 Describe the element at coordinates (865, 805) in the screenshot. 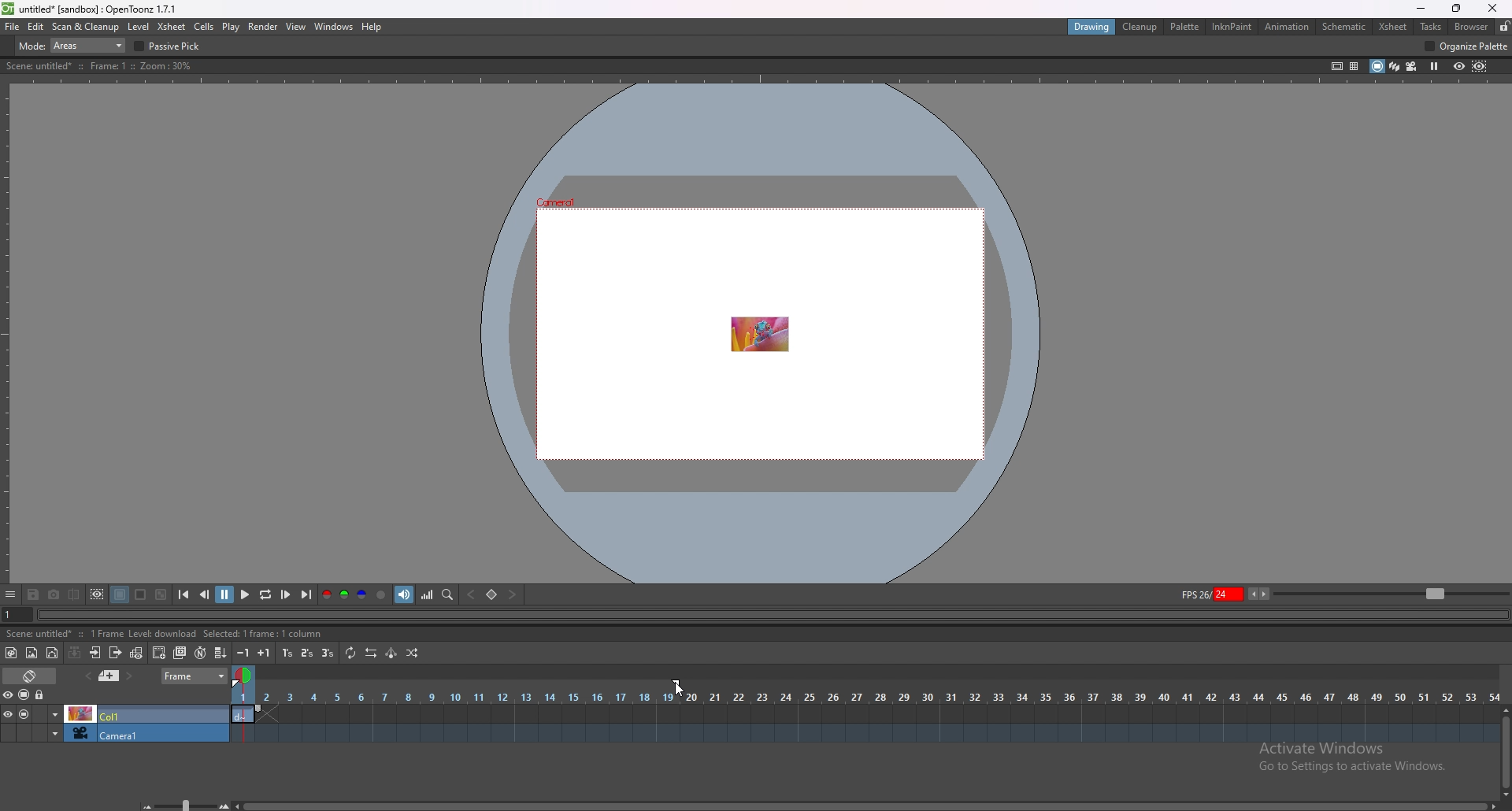

I see `scroll bar` at that location.